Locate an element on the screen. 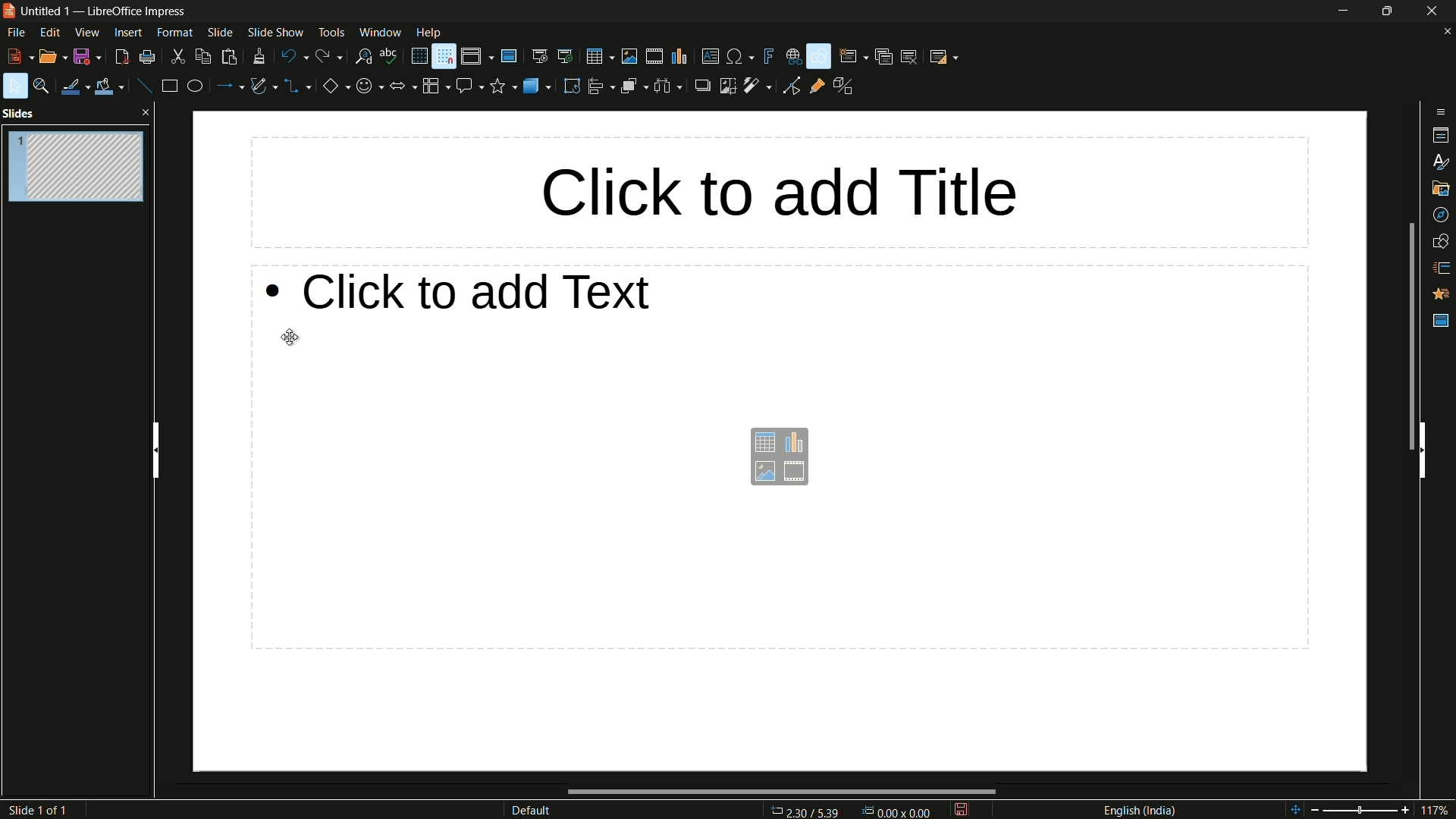  toggle point edit mode is located at coordinates (791, 88).